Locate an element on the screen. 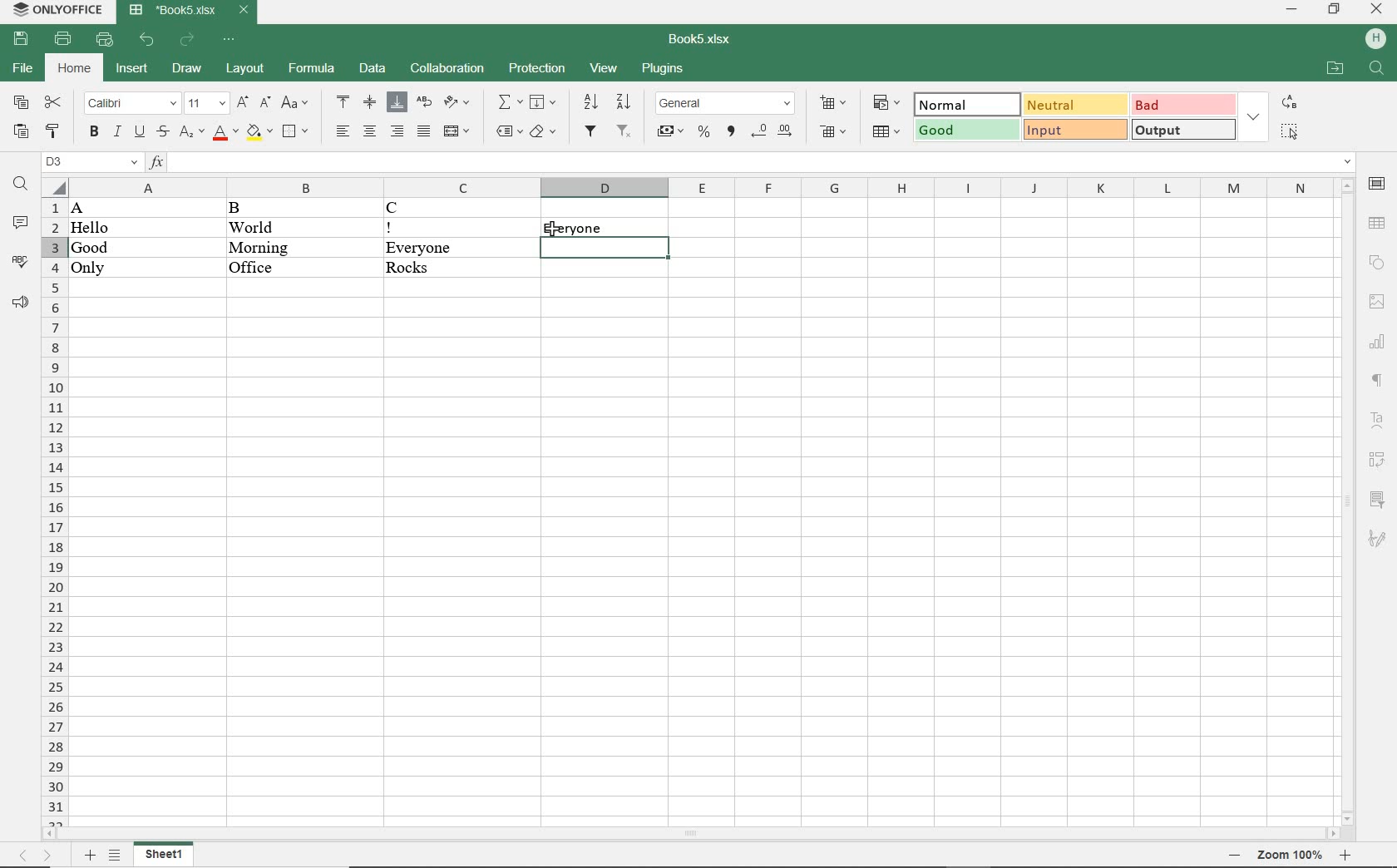 The image size is (1397, 868). document name is located at coordinates (696, 40).